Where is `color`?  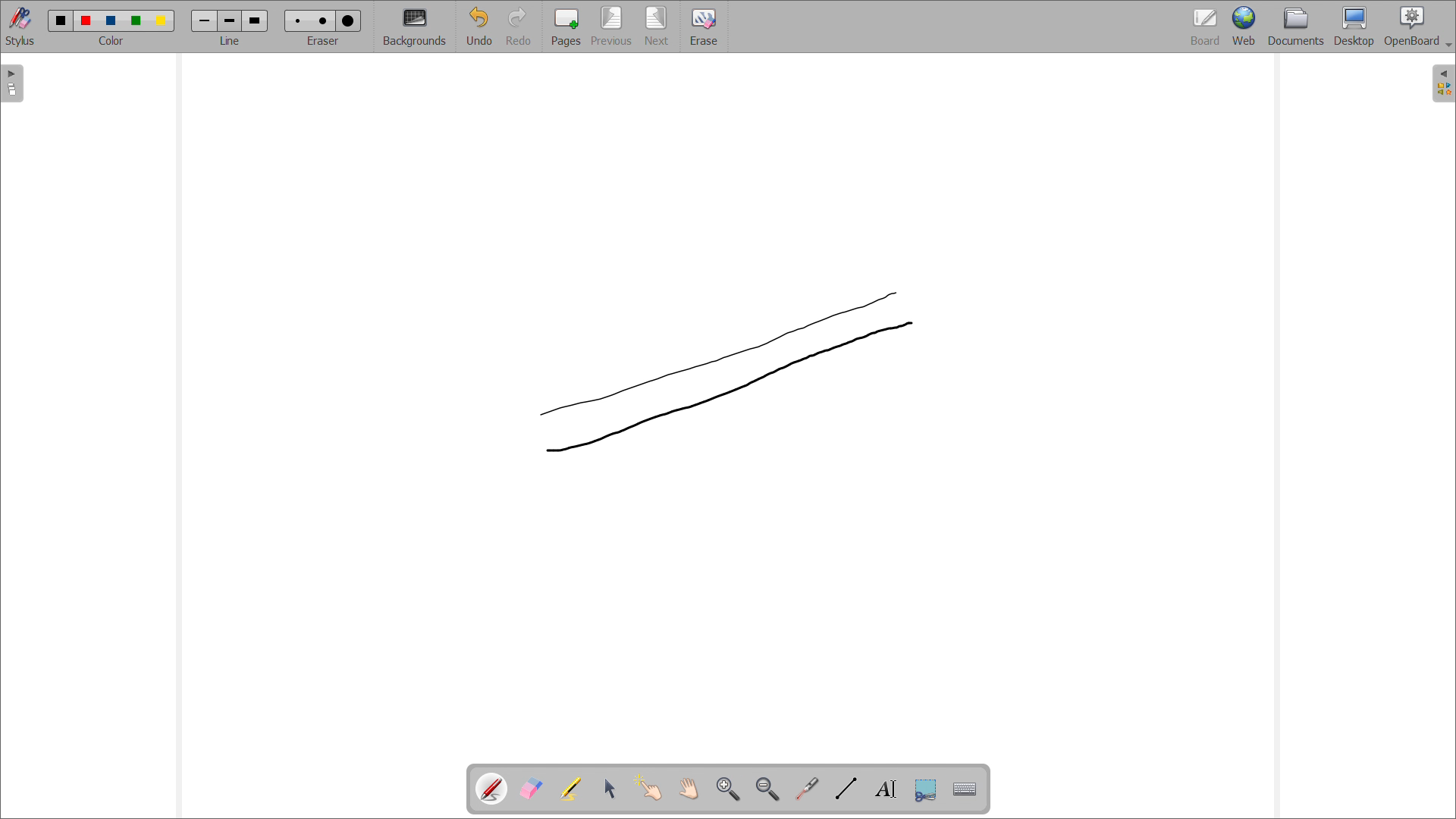 color is located at coordinates (138, 21).